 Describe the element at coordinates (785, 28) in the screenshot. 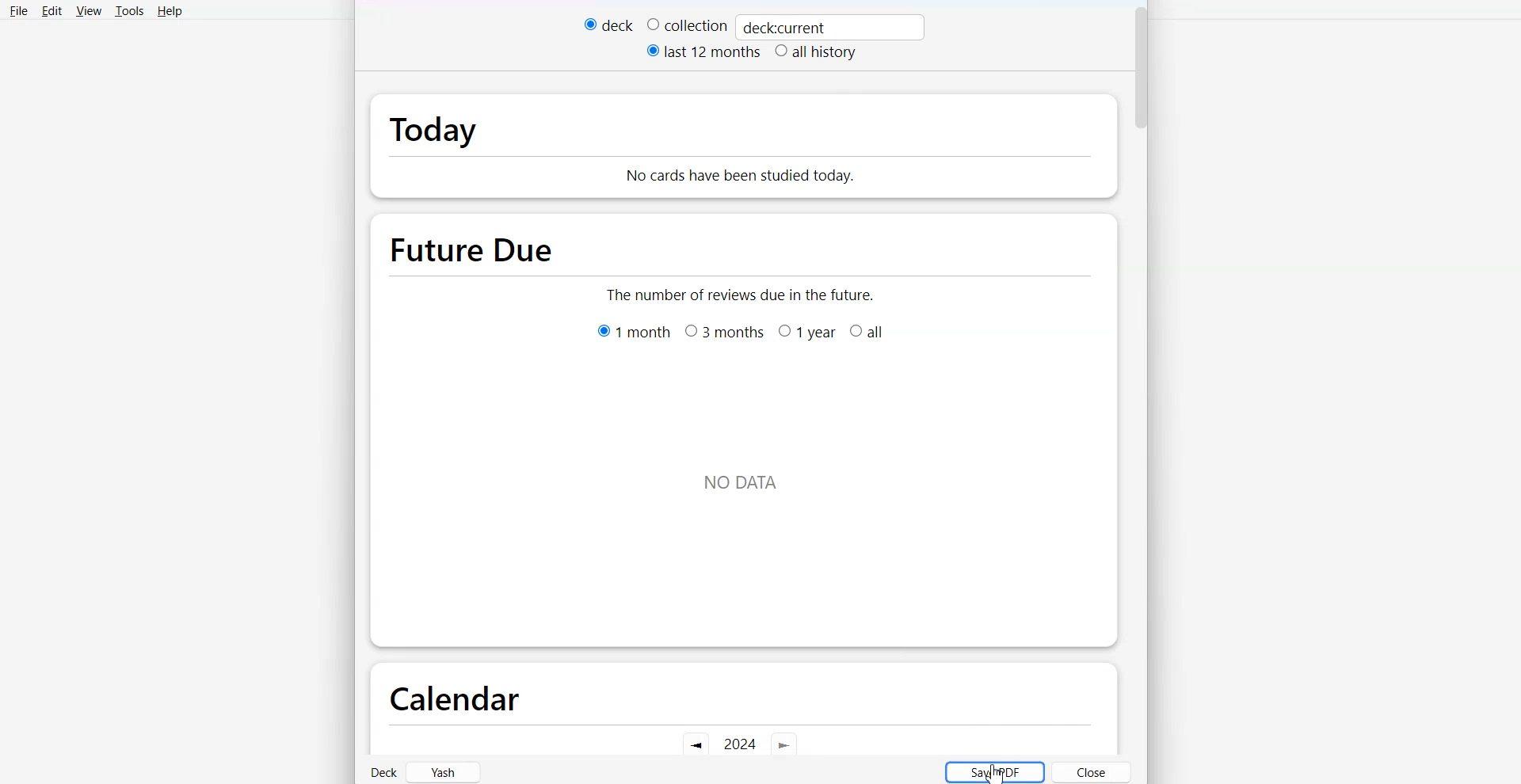

I see `Text` at that location.